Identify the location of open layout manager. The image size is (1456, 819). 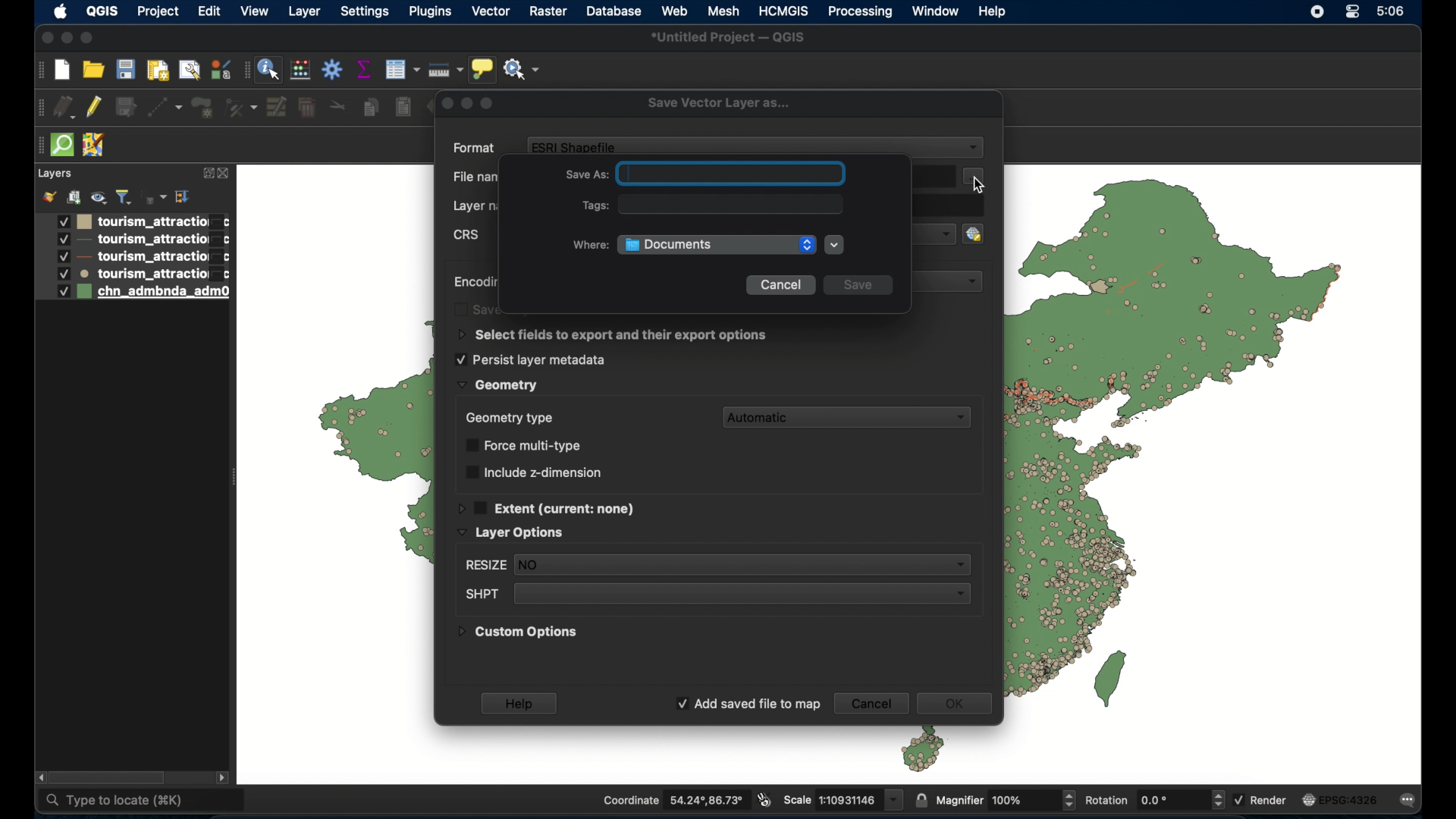
(190, 70).